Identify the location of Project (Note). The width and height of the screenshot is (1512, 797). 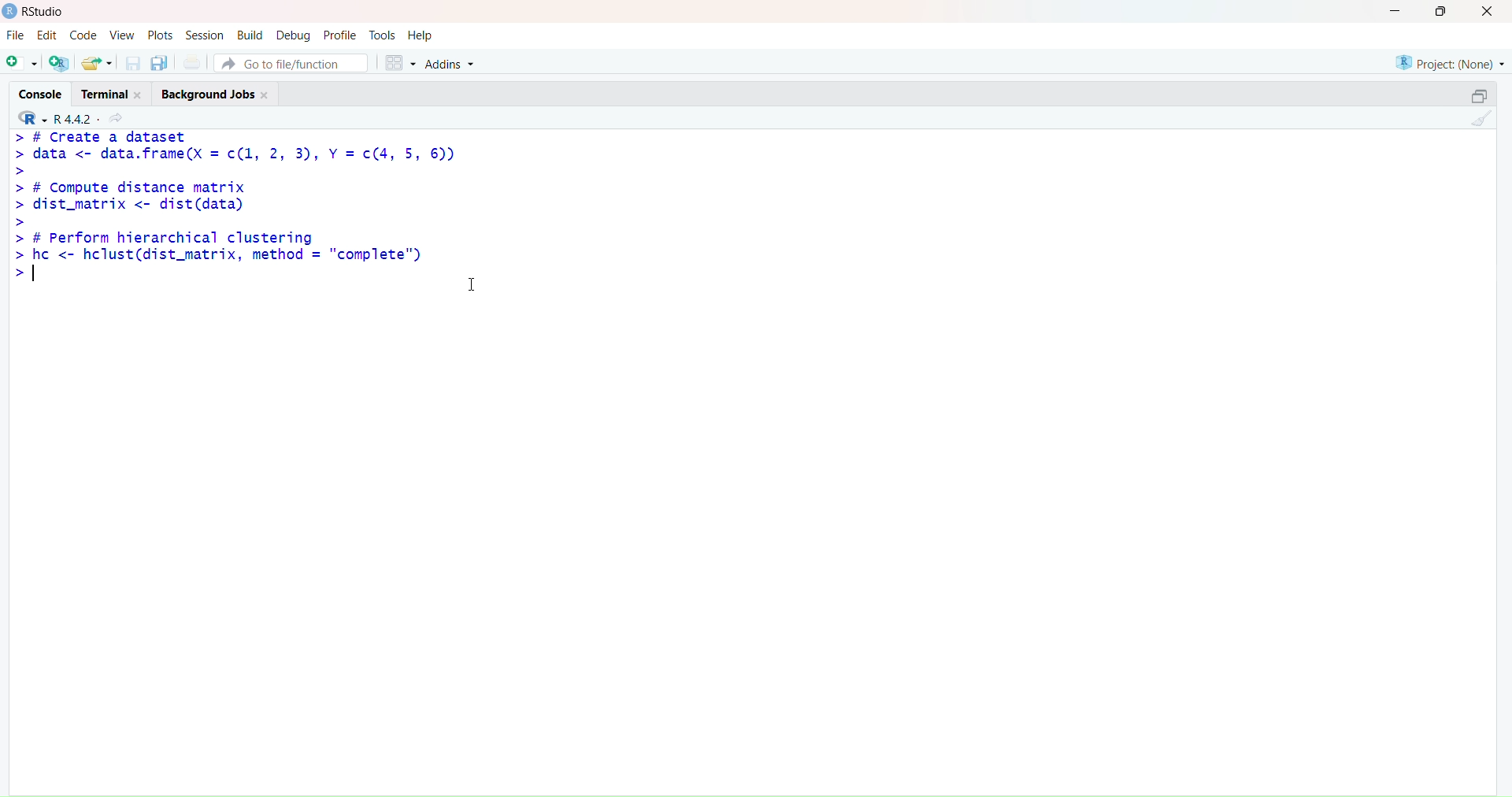
(1451, 61).